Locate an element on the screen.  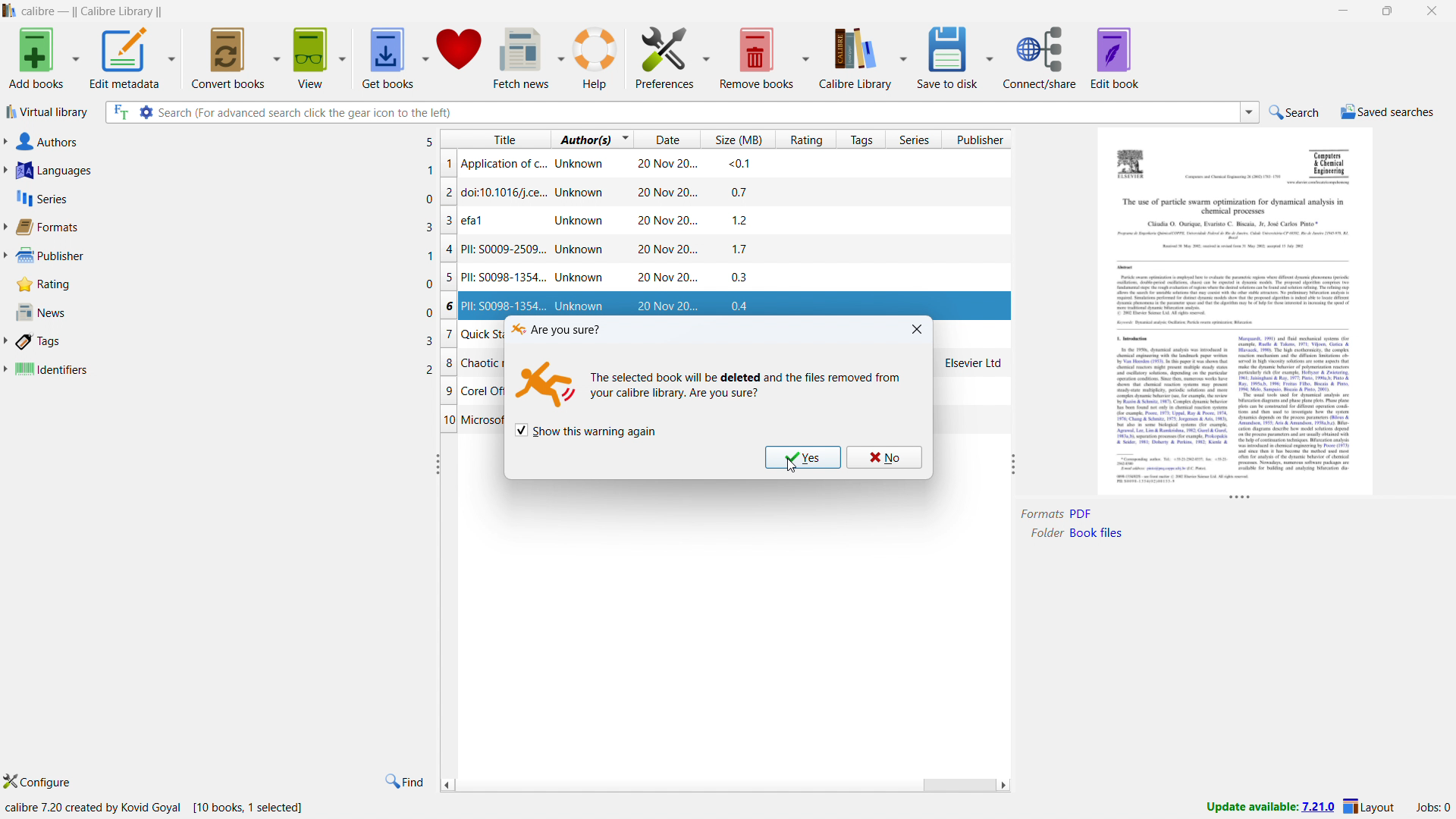
edit metadata options is located at coordinates (173, 55).